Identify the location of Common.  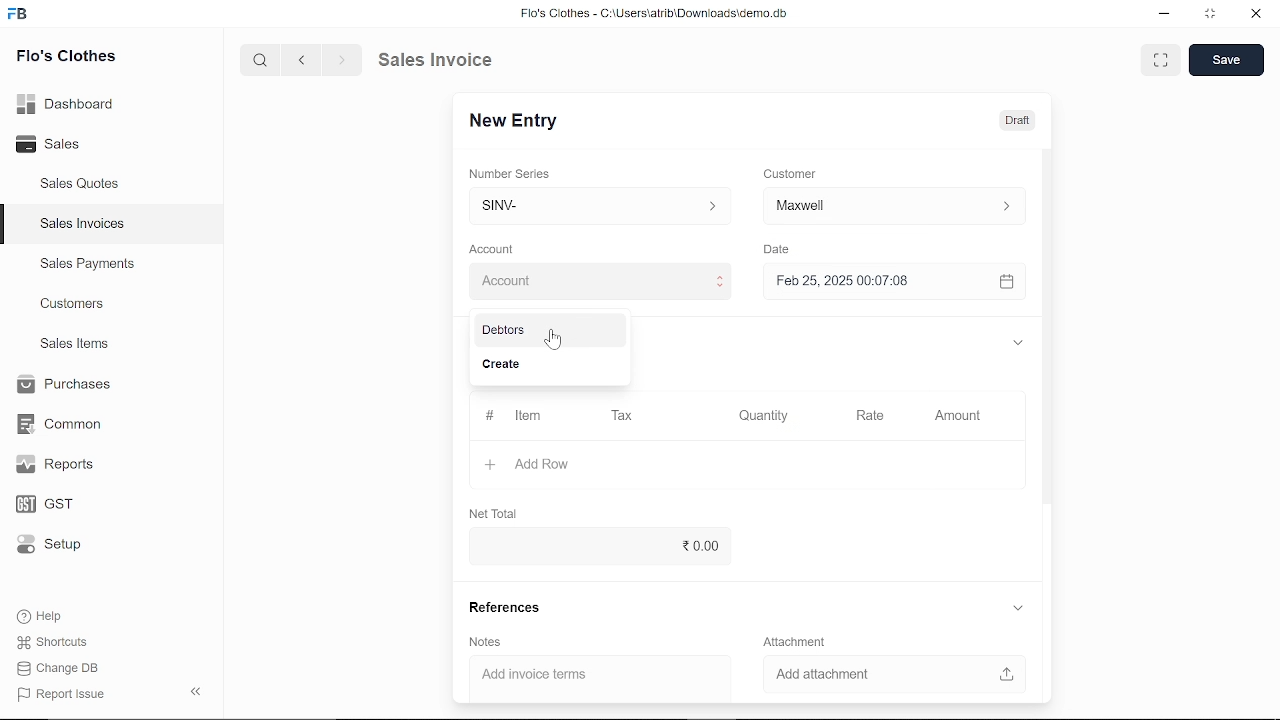
(62, 424).